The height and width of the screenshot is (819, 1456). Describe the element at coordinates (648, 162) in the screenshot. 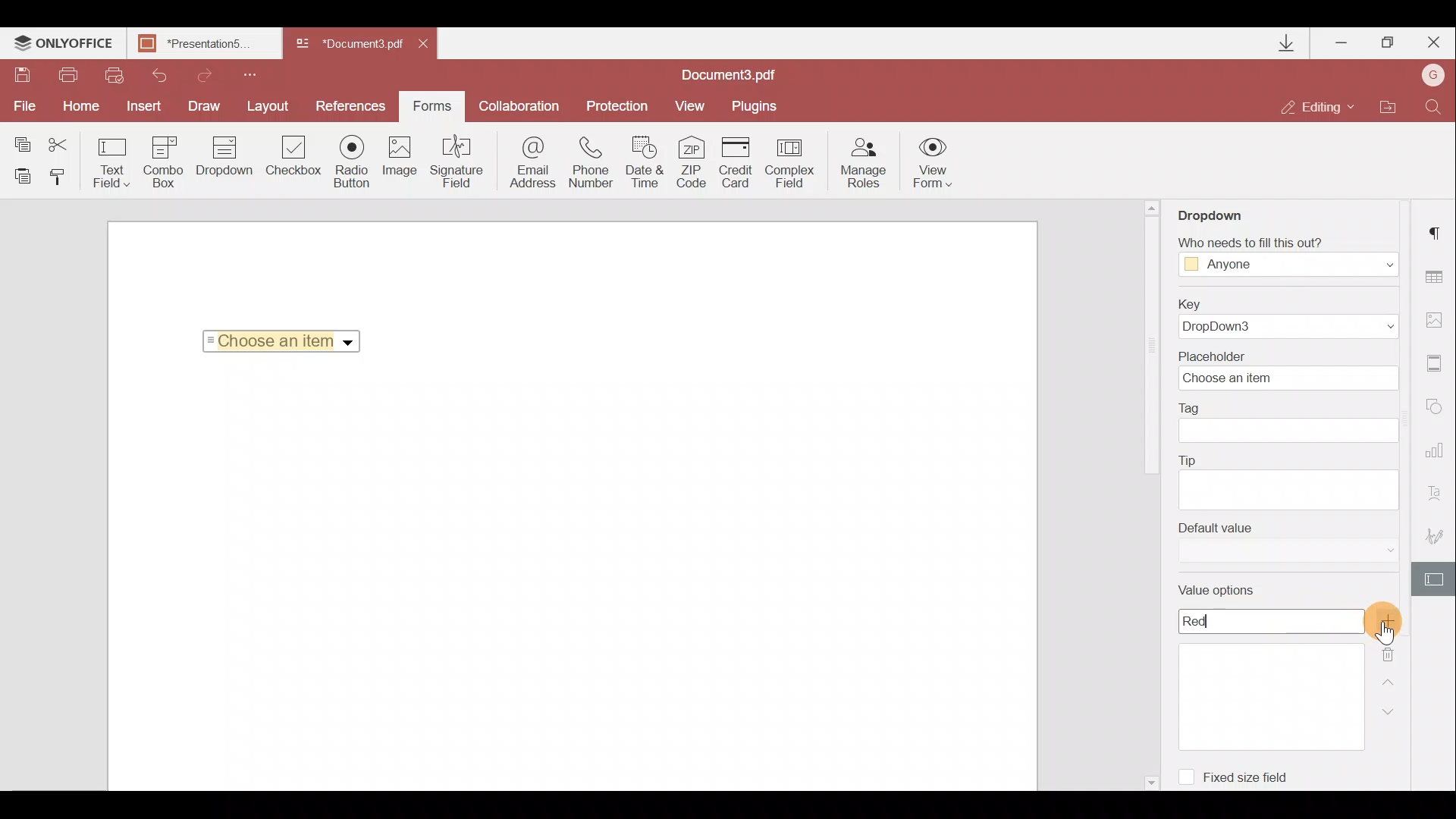

I see `Date & time` at that location.